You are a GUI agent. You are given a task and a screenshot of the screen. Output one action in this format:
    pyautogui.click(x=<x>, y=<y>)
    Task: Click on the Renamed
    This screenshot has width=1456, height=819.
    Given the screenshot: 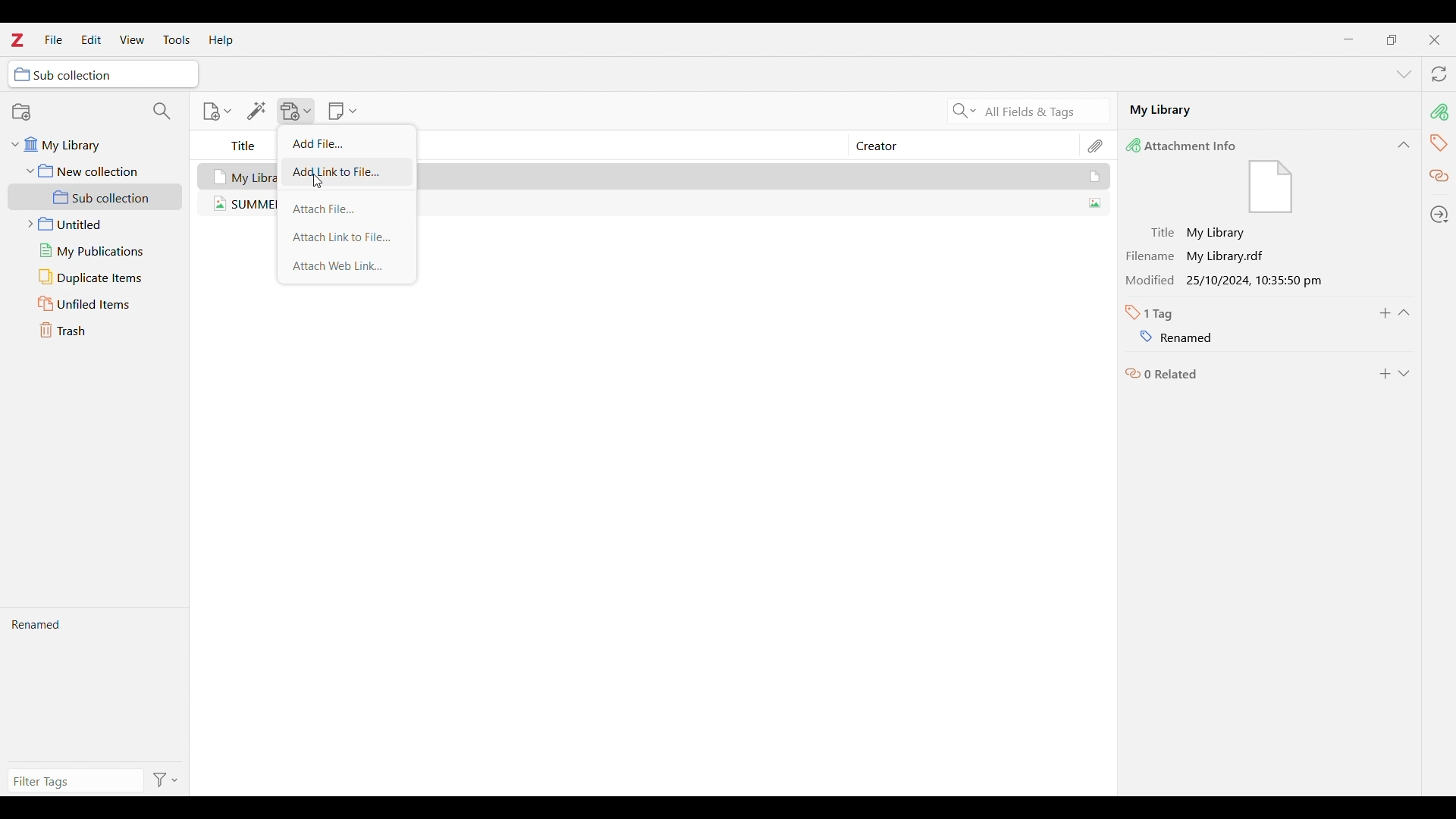 What is the action you would take?
    pyautogui.click(x=96, y=688)
    